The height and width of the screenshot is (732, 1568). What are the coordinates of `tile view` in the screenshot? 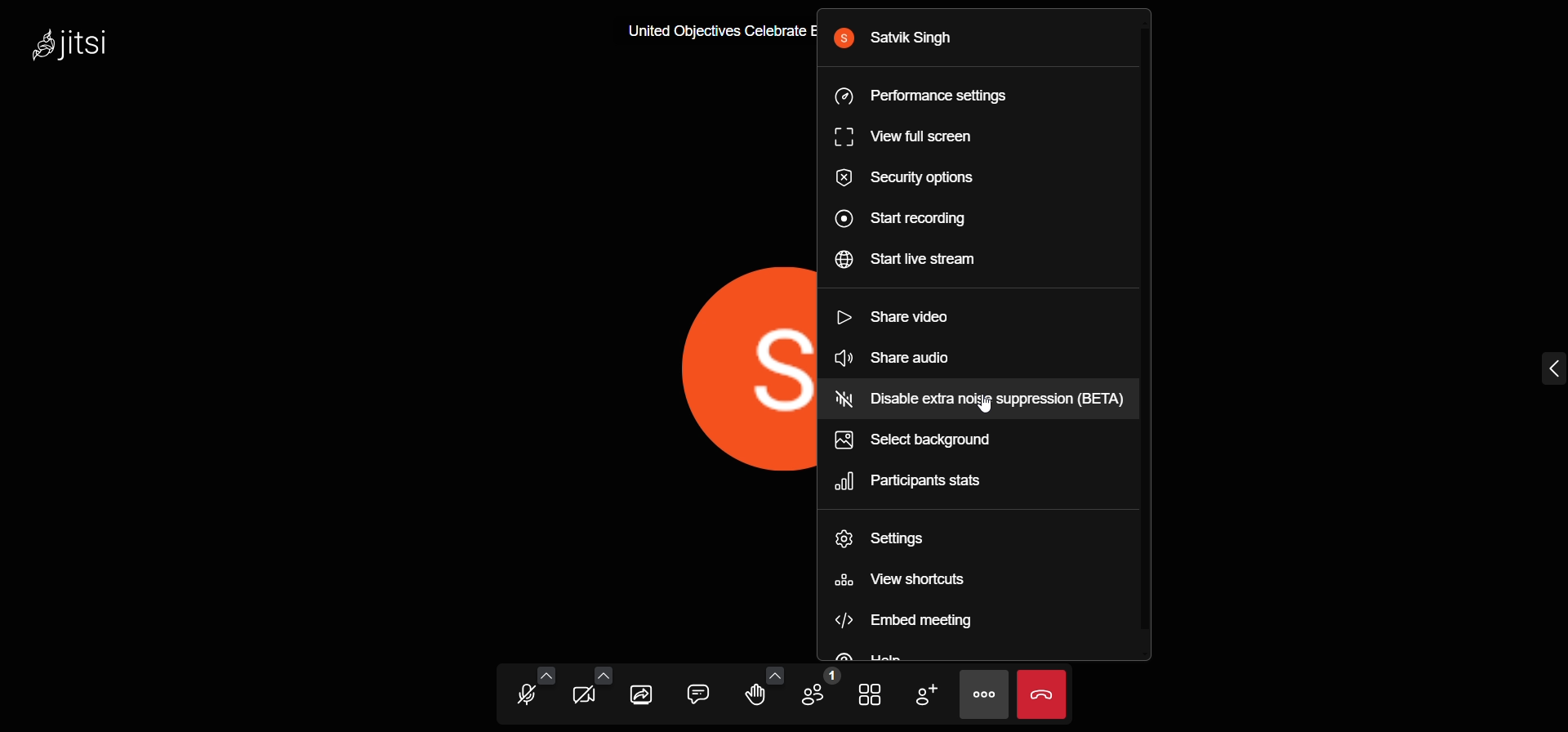 It's located at (868, 695).